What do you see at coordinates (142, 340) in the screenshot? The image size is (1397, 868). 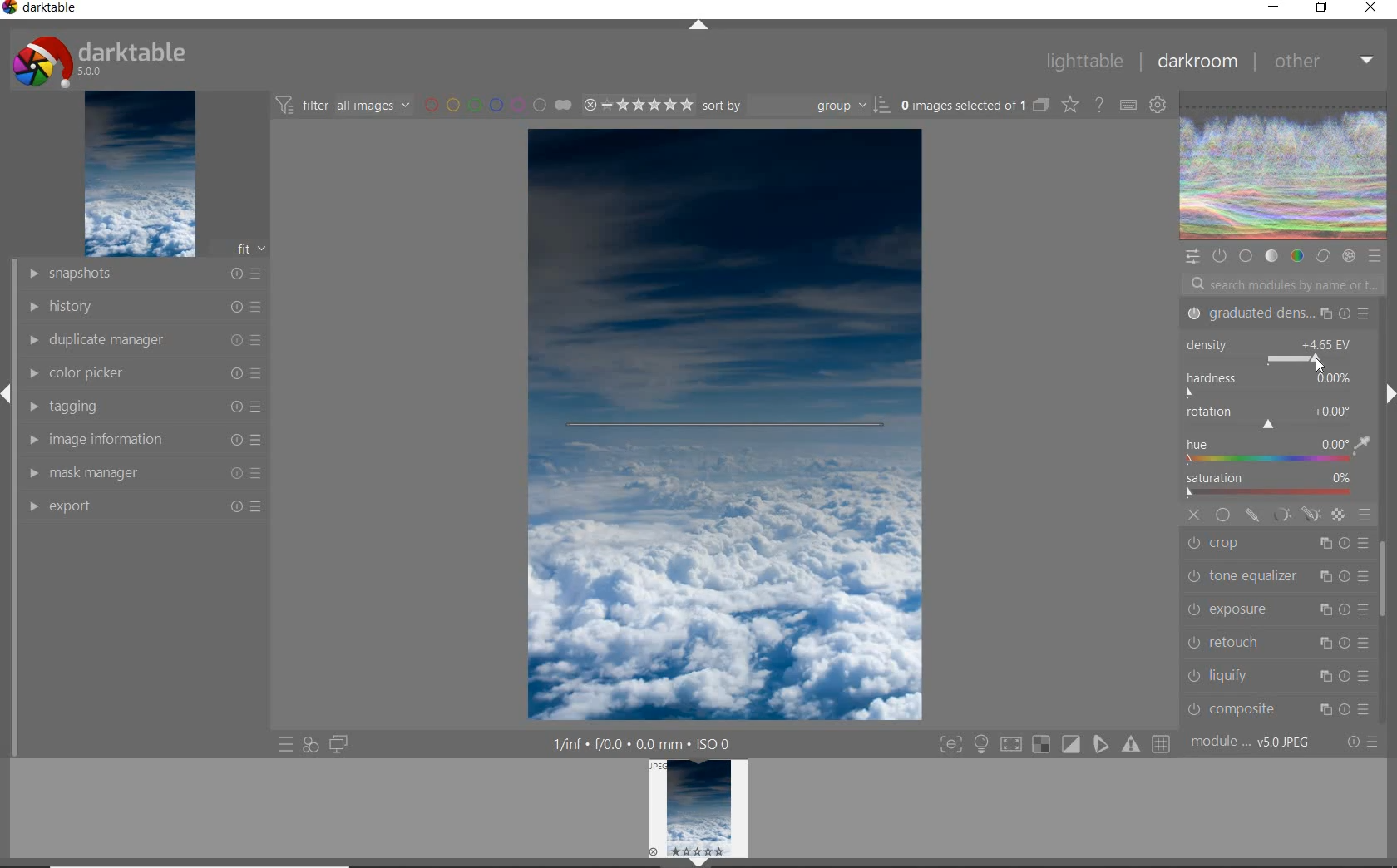 I see `DUPLICATE MANAGER` at bounding box center [142, 340].